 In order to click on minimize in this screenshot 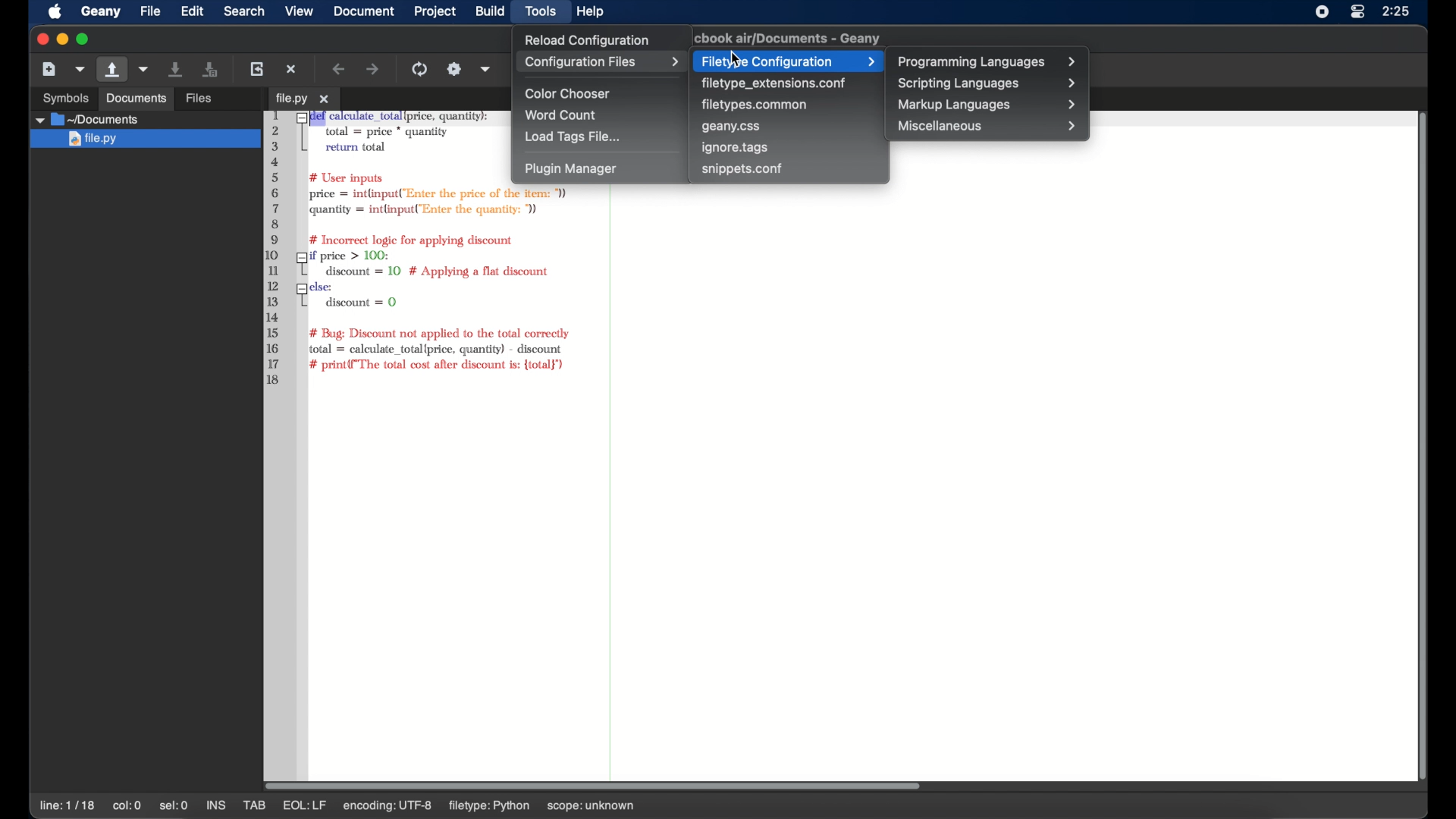, I will do `click(61, 39)`.